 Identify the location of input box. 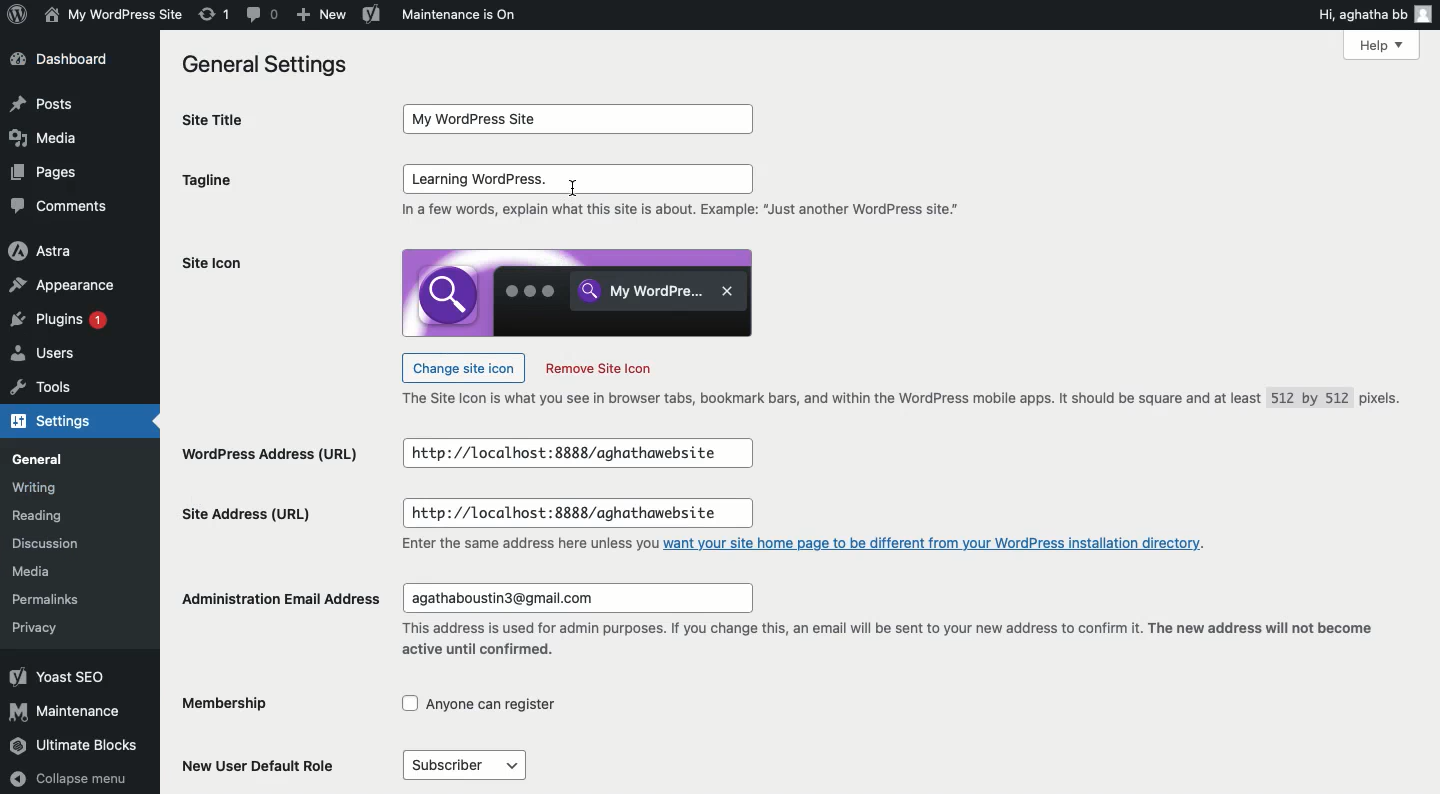
(571, 178).